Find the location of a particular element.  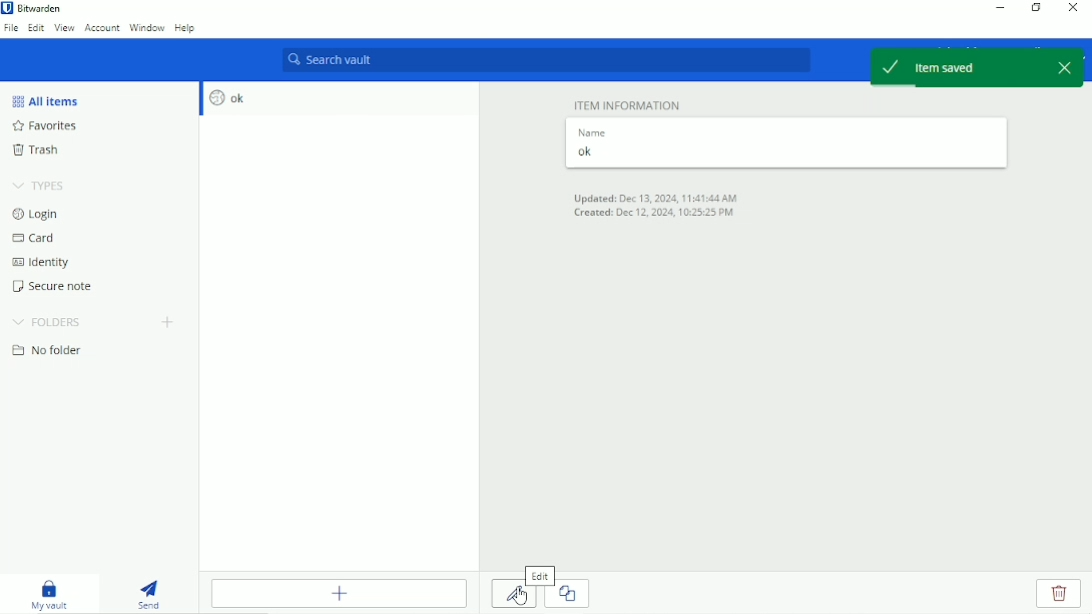

Types is located at coordinates (37, 186).